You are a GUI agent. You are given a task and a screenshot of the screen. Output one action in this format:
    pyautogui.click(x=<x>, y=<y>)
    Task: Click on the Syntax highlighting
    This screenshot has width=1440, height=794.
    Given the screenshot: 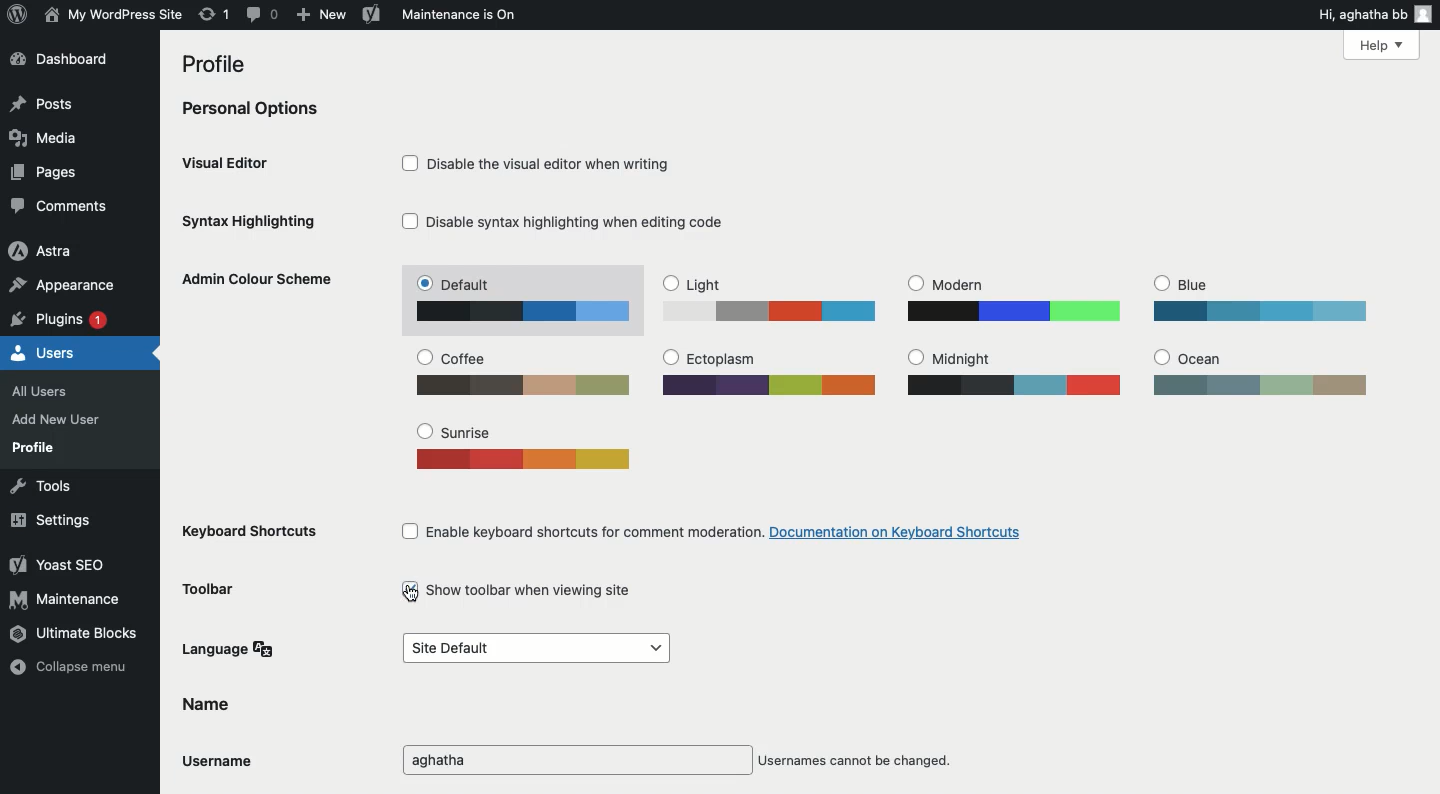 What is the action you would take?
    pyautogui.click(x=252, y=222)
    